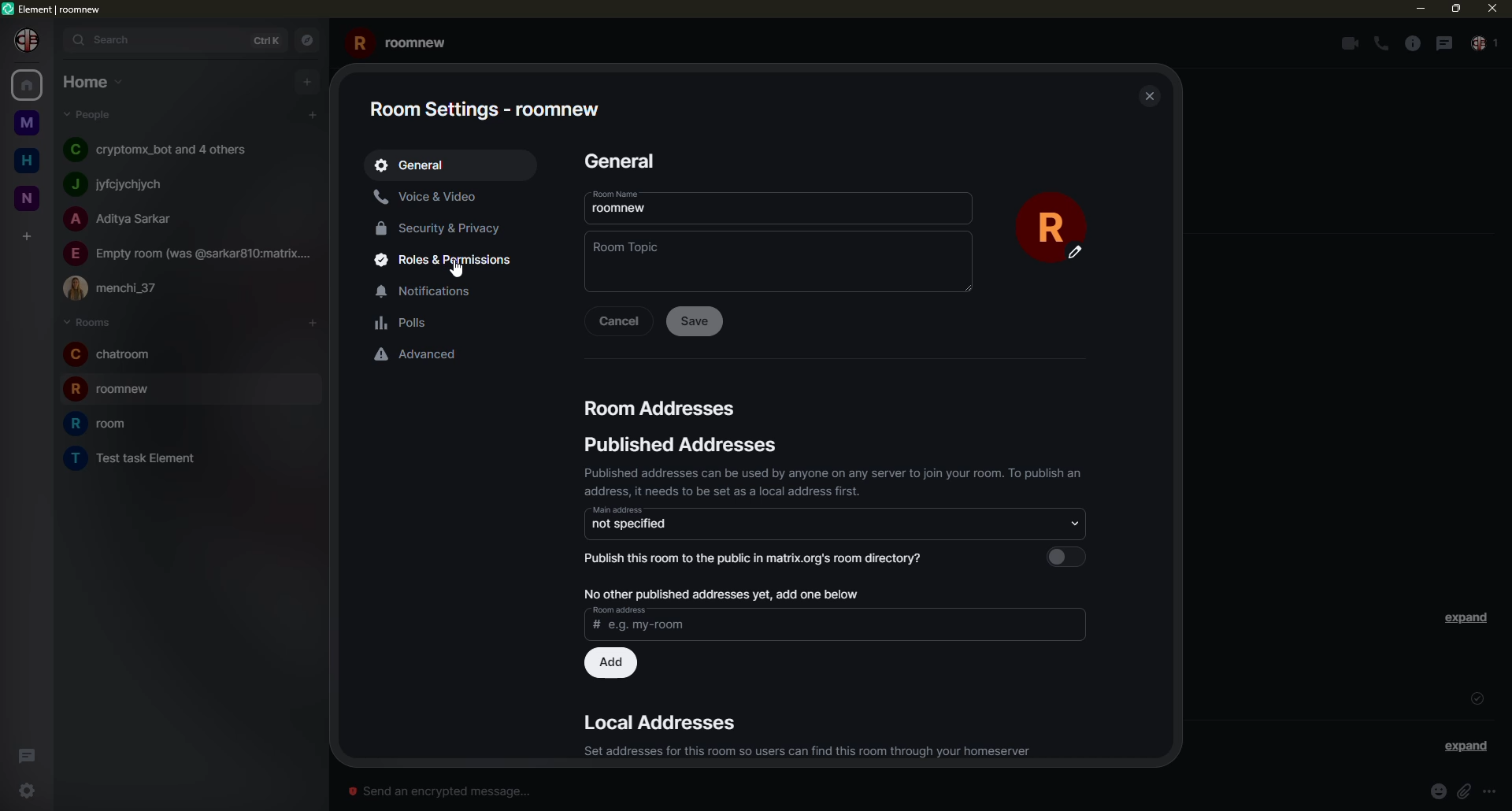  I want to click on select, so click(1073, 524).